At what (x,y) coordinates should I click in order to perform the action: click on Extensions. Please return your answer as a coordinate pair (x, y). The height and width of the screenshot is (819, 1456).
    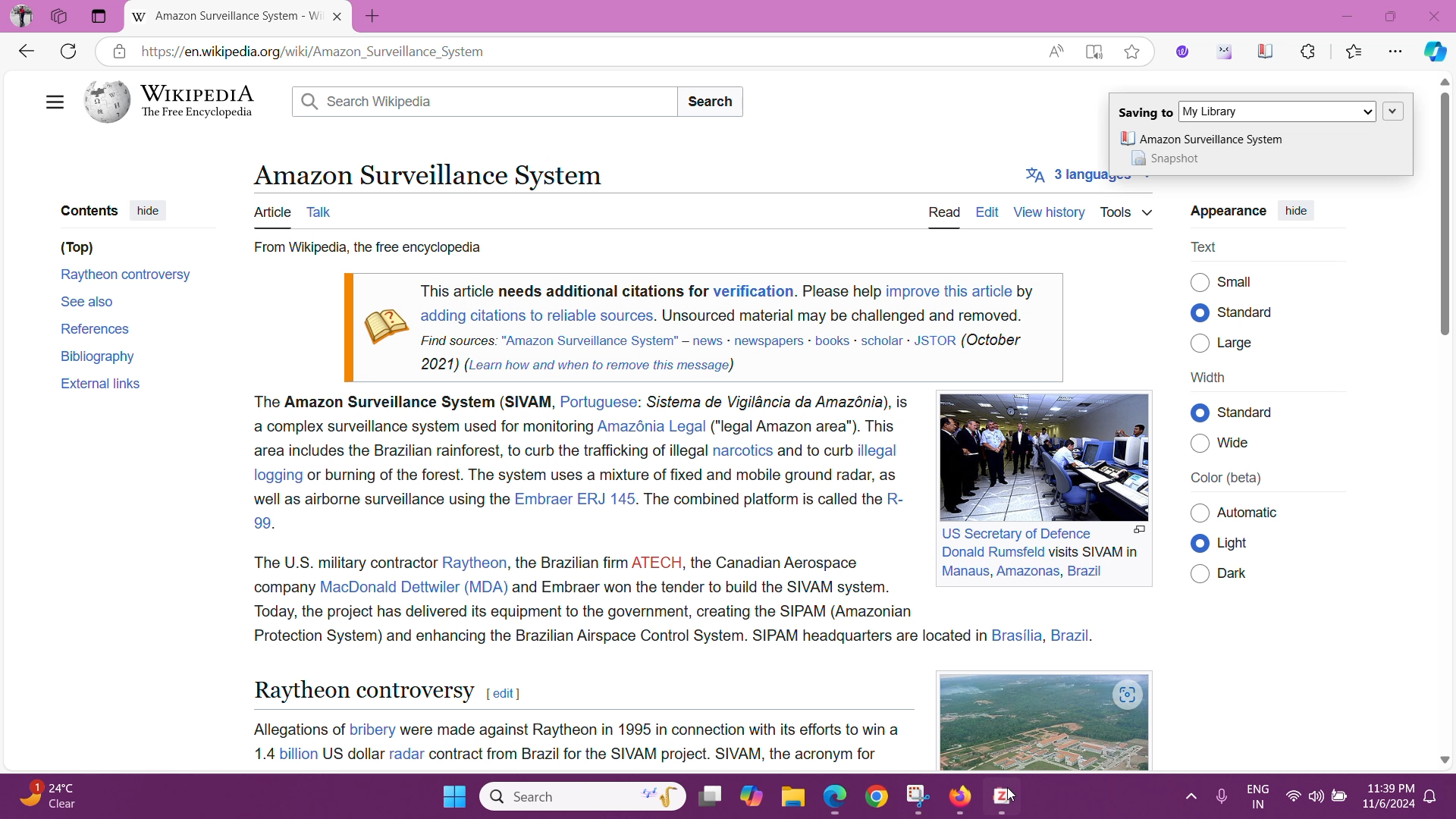
    Looking at the image, I should click on (1308, 50).